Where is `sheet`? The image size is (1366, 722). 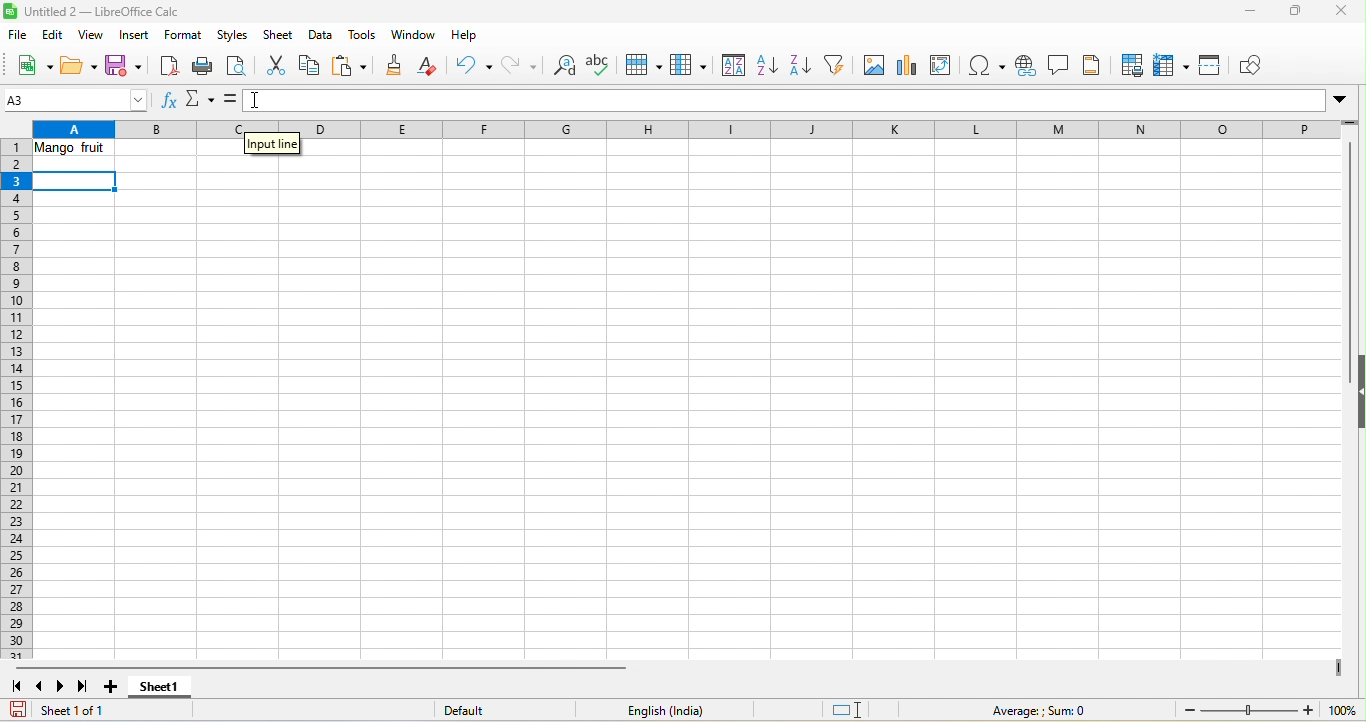
sheet is located at coordinates (280, 35).